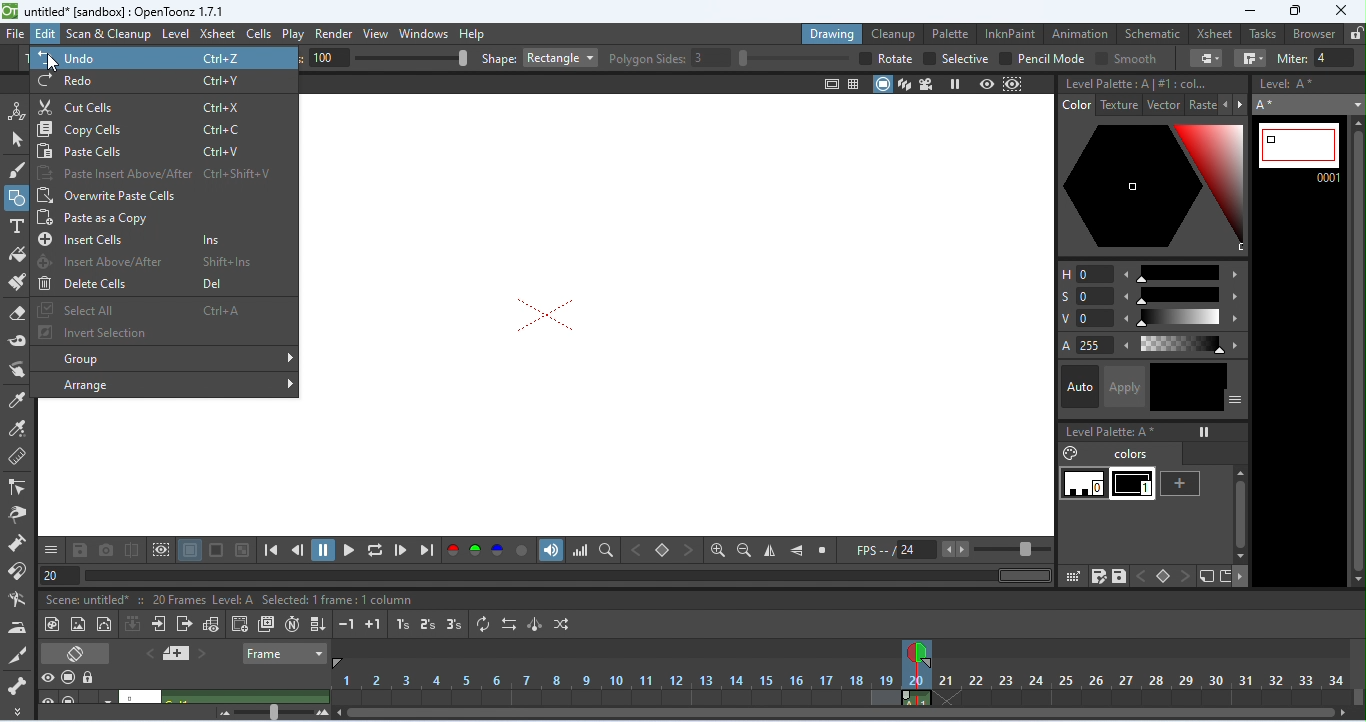 This screenshot has width=1366, height=722. What do you see at coordinates (1355, 31) in the screenshot?
I see `lock rooms tab` at bounding box center [1355, 31].